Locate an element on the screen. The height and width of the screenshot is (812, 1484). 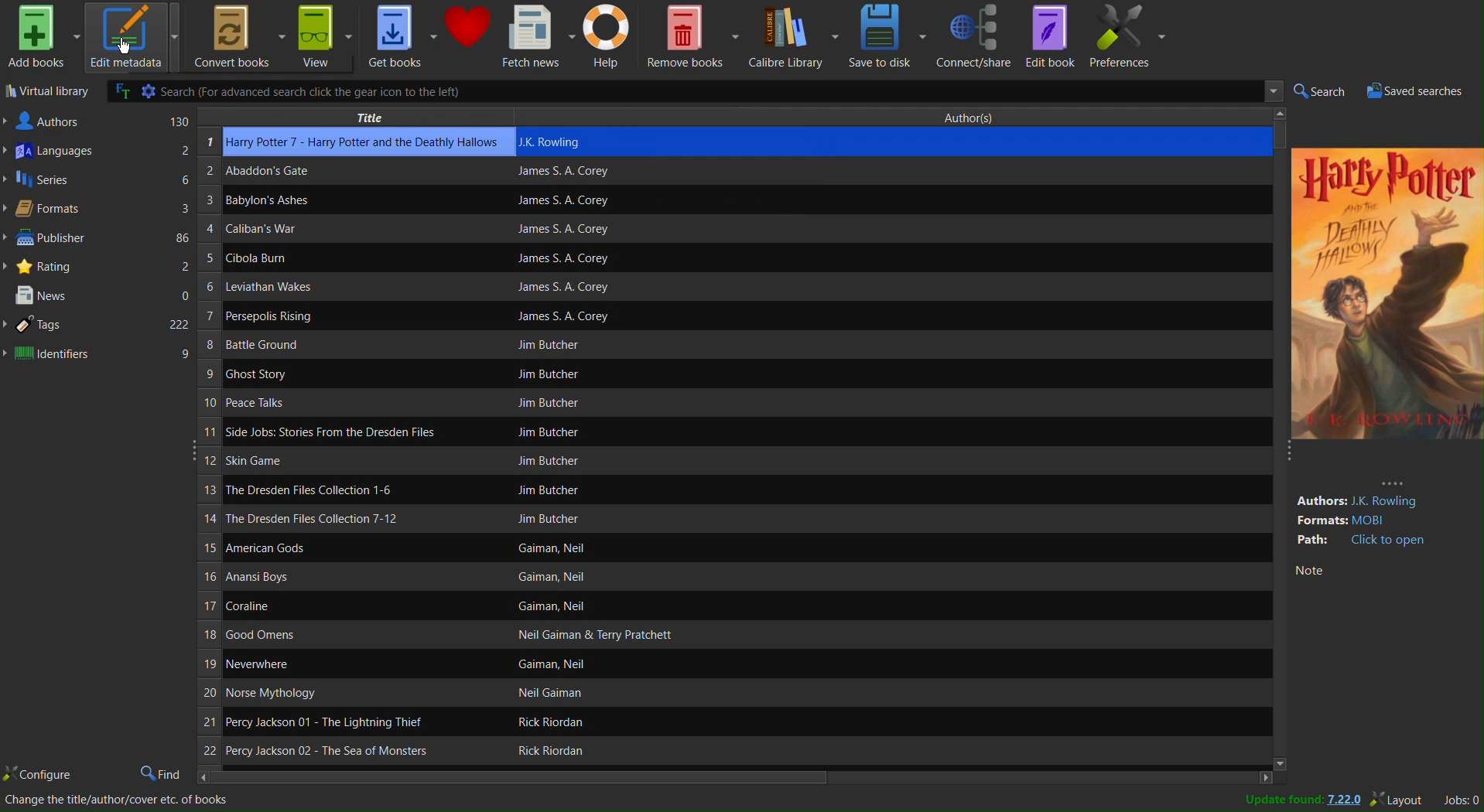
Book name is located at coordinates (296, 694).